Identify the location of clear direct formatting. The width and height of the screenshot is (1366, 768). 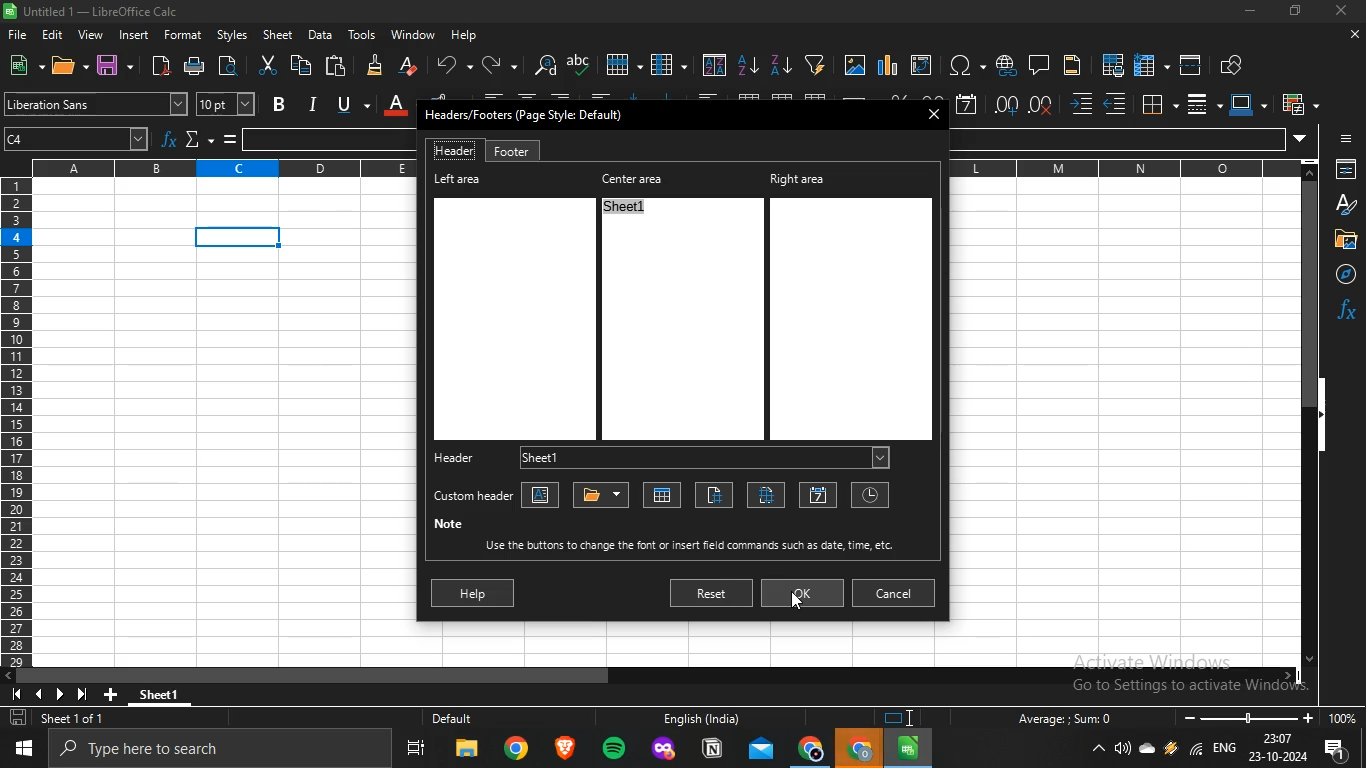
(409, 65).